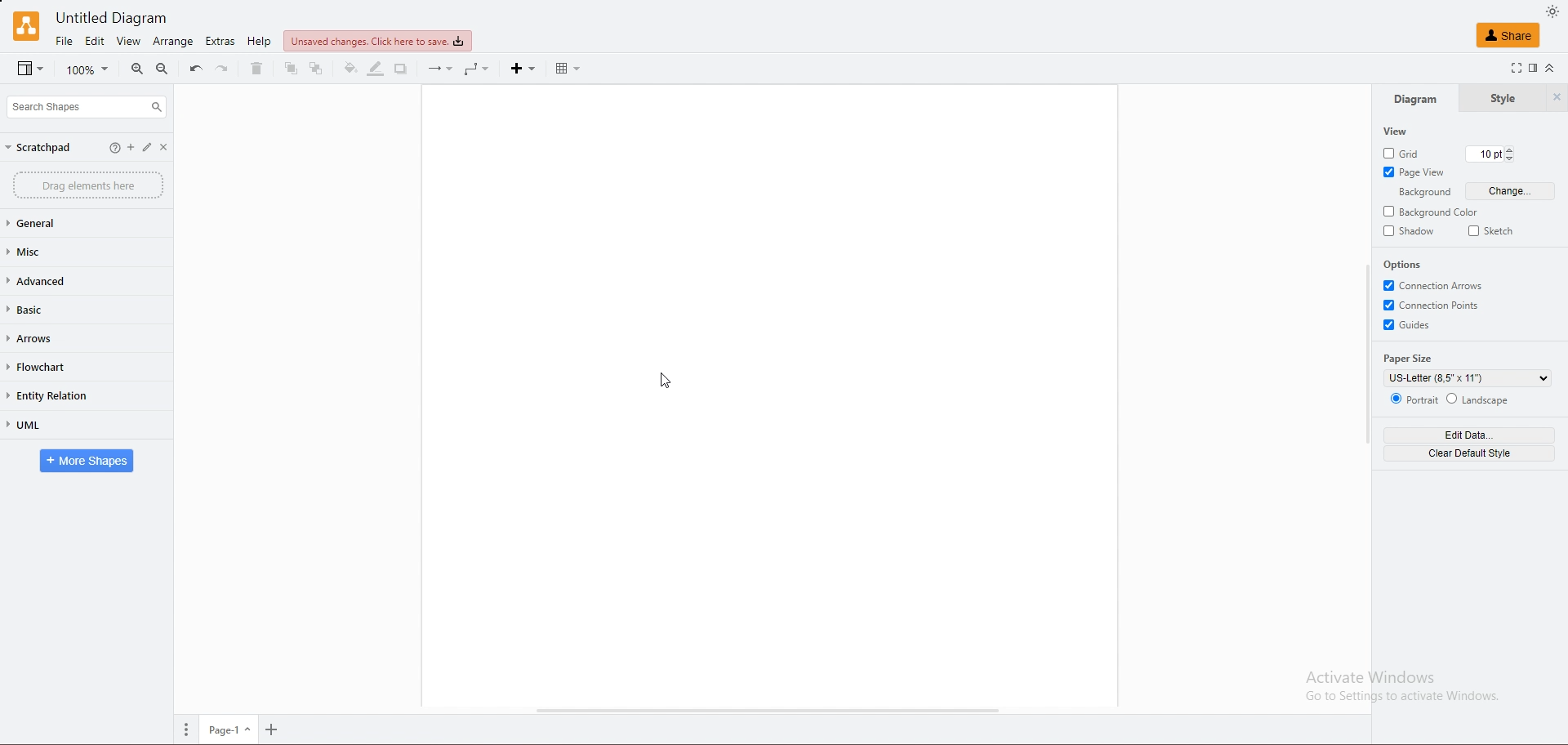 This screenshot has width=1568, height=745. What do you see at coordinates (1437, 285) in the screenshot?
I see `connection arrows` at bounding box center [1437, 285].